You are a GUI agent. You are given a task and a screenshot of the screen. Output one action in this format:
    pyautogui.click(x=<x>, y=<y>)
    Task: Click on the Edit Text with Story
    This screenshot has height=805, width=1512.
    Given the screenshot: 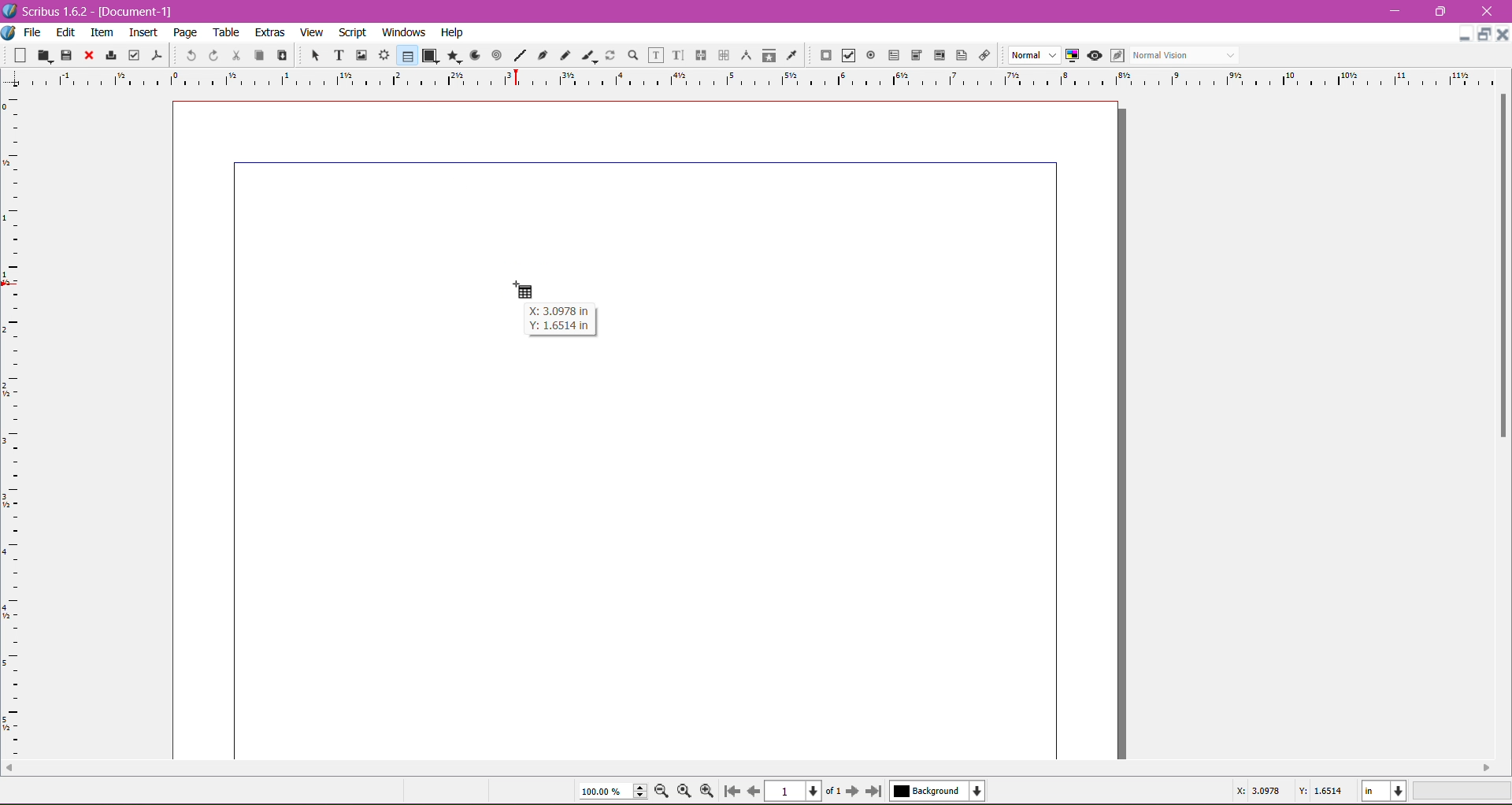 What is the action you would take?
    pyautogui.click(x=678, y=55)
    